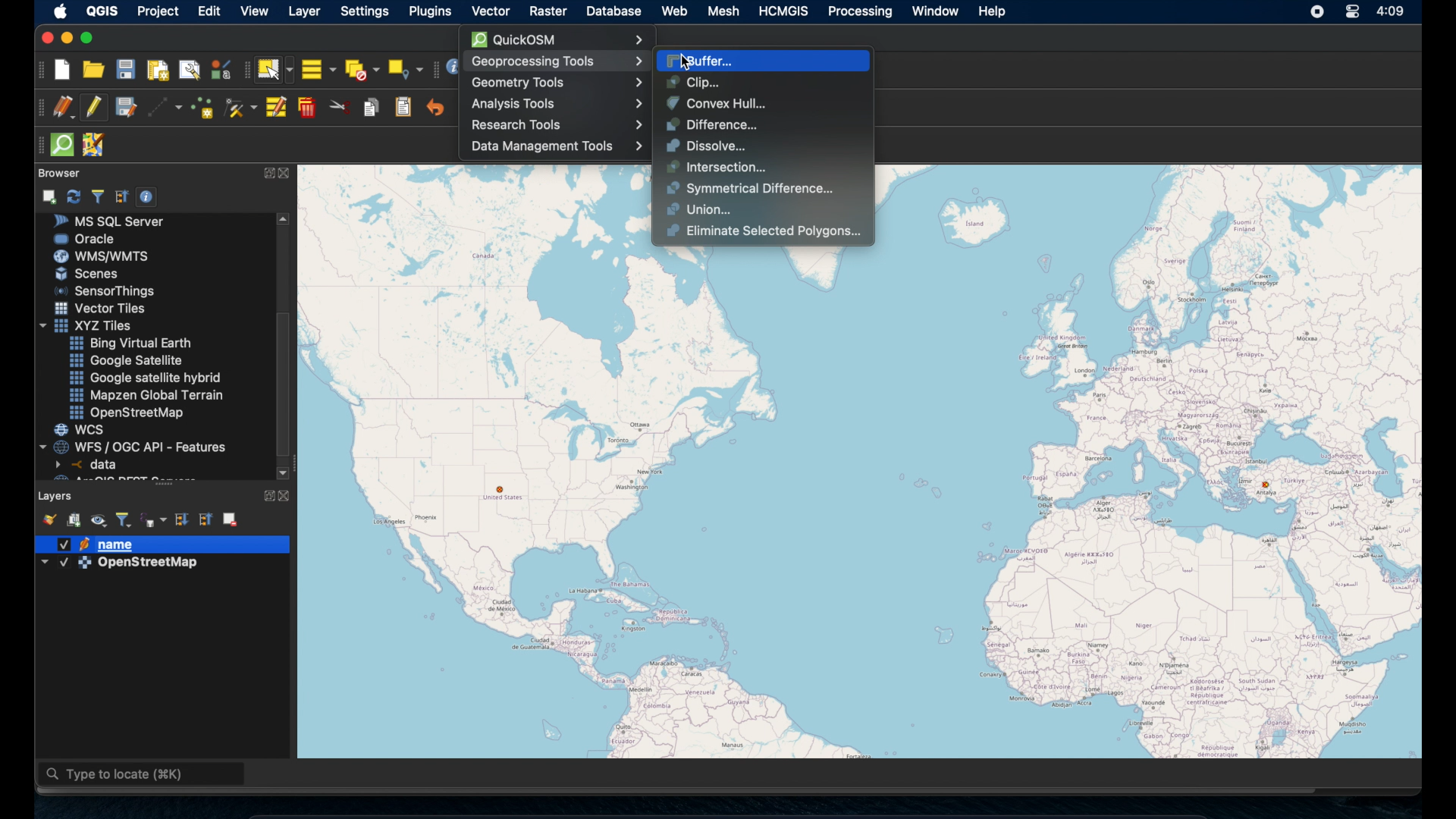  Describe the element at coordinates (36, 108) in the screenshot. I see `digitizing toolbar` at that location.